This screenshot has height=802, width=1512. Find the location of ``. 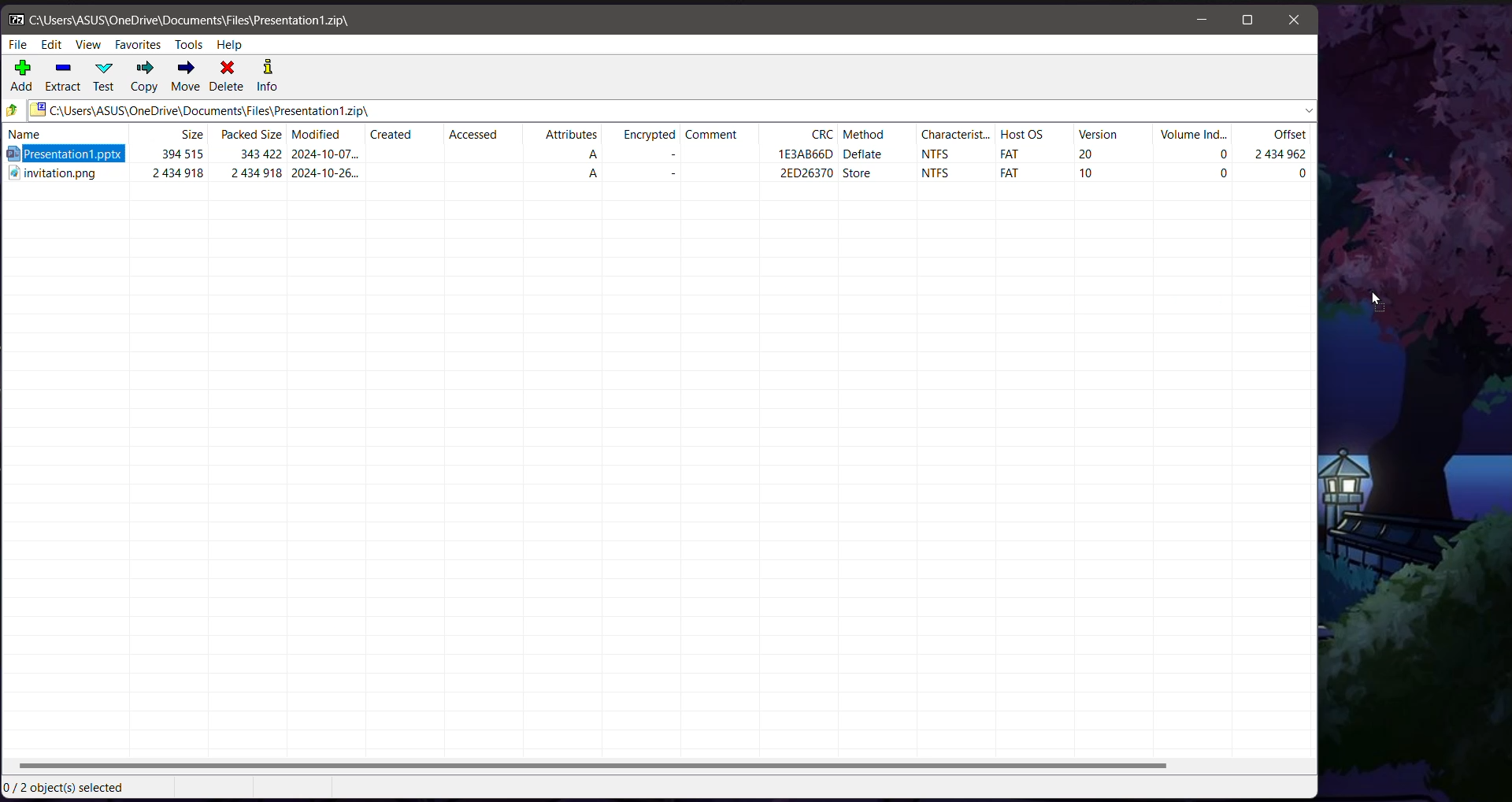

 is located at coordinates (65, 789).